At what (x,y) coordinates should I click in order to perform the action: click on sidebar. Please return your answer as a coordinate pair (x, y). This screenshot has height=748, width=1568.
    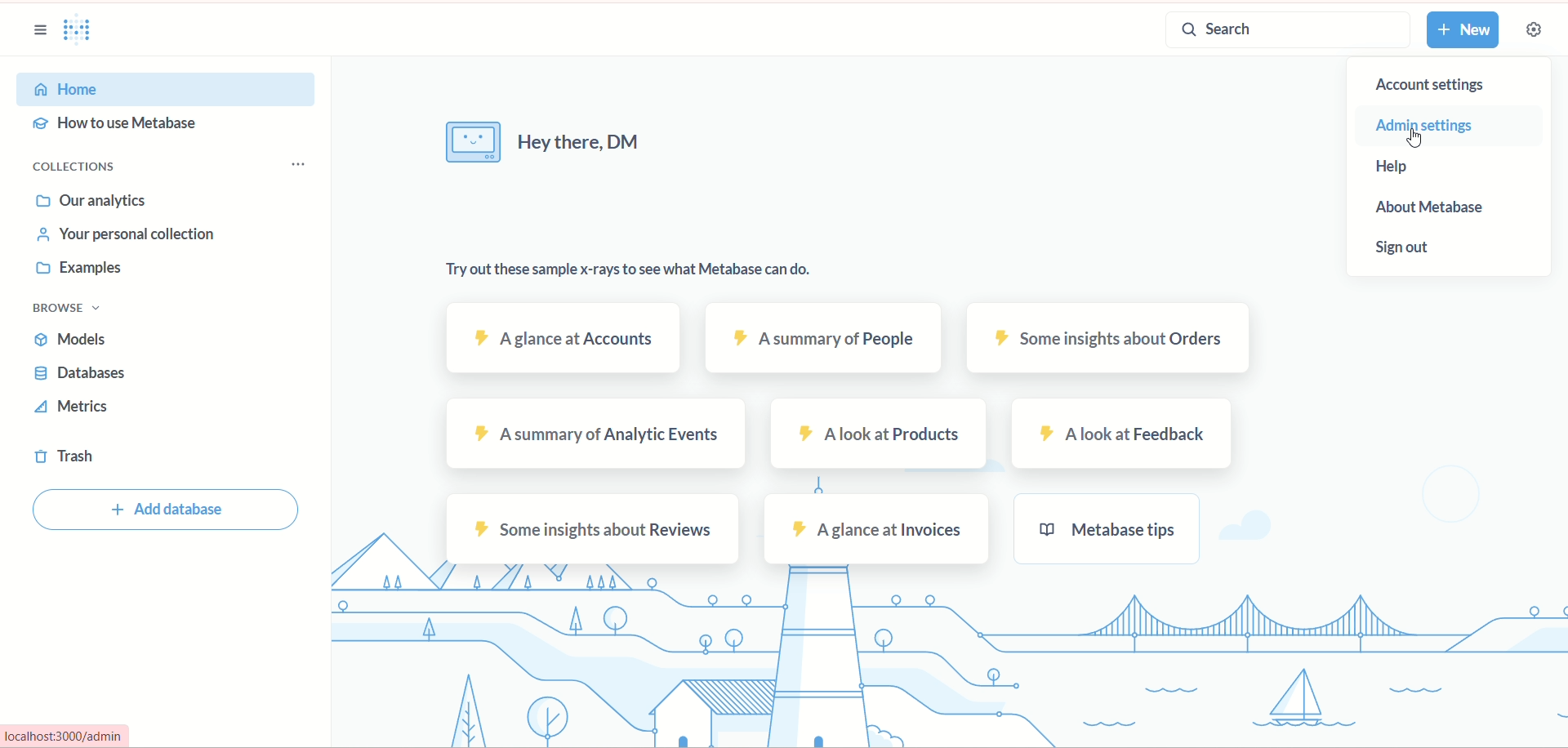
    Looking at the image, I should click on (33, 33).